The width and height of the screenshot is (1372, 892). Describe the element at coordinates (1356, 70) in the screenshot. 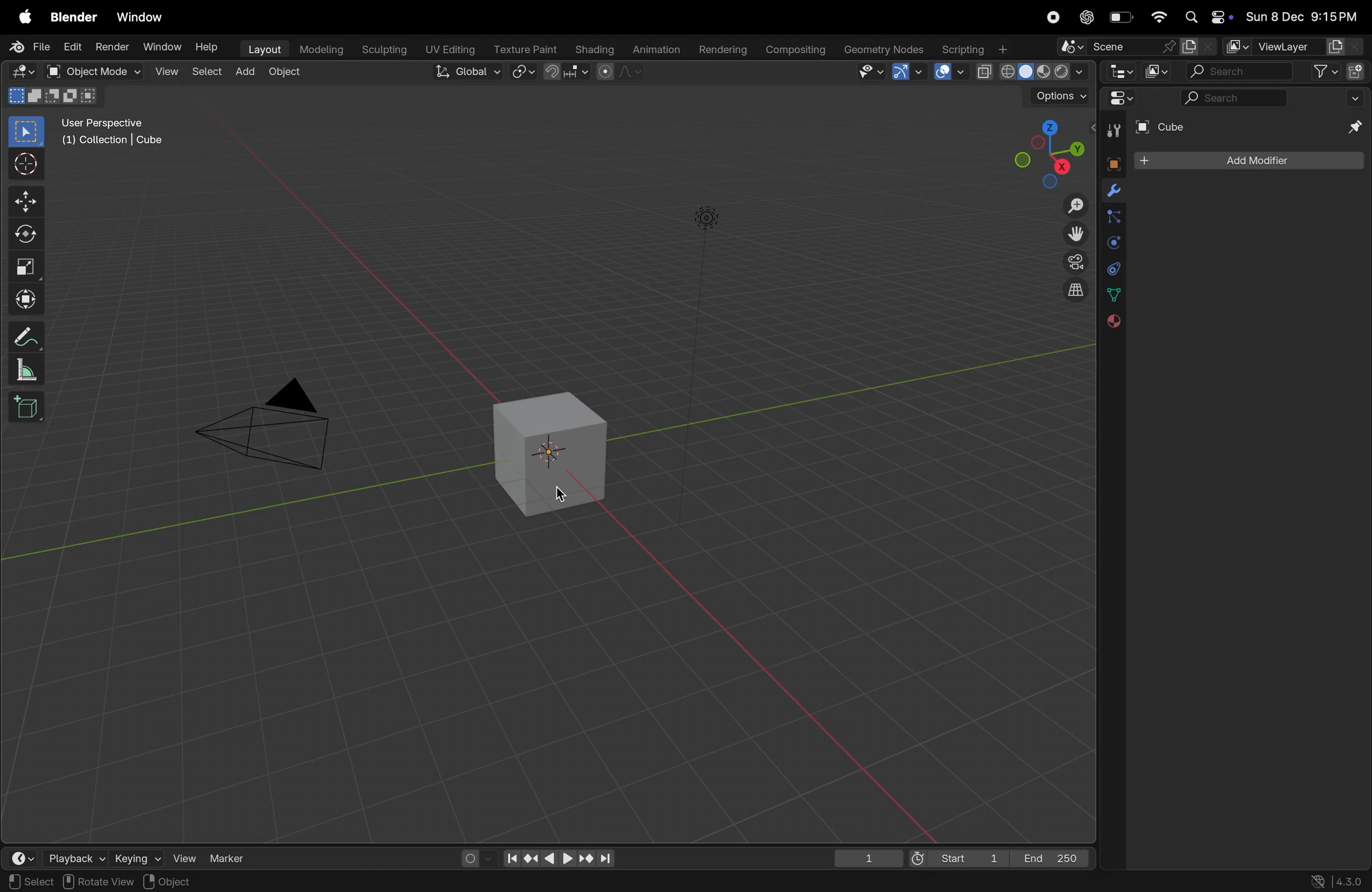

I see `new collection` at that location.